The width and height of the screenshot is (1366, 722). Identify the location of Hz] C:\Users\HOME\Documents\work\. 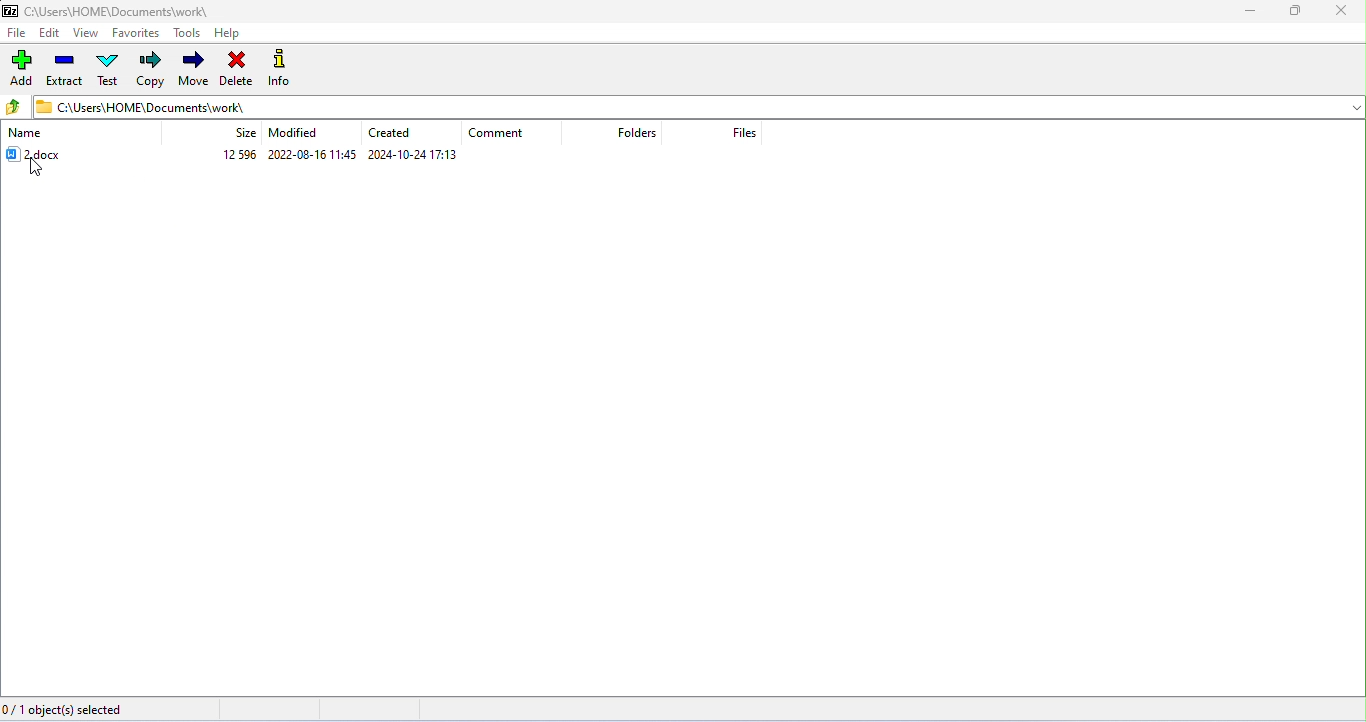
(139, 106).